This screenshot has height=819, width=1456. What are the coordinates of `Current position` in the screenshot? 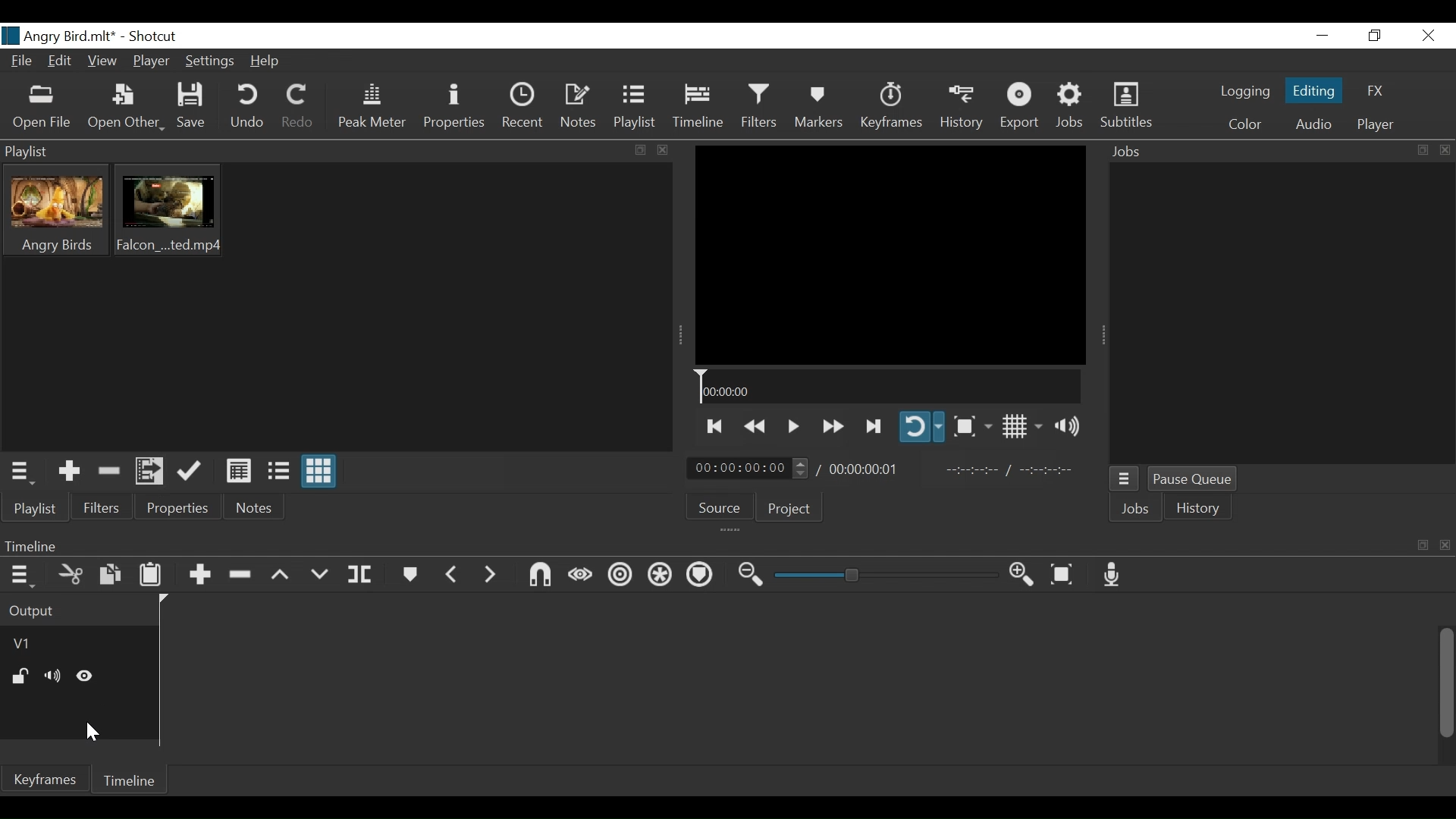 It's located at (748, 468).